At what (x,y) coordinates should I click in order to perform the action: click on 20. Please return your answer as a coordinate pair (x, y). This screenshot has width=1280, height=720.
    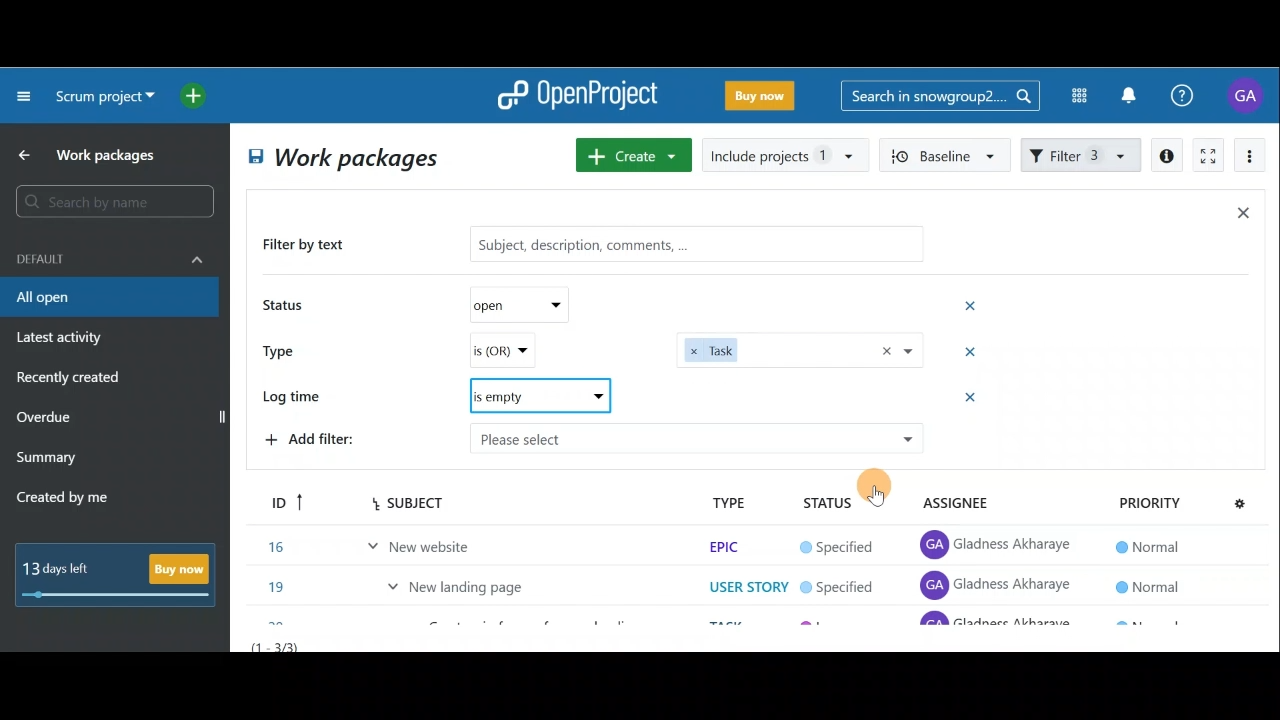
    Looking at the image, I should click on (279, 582).